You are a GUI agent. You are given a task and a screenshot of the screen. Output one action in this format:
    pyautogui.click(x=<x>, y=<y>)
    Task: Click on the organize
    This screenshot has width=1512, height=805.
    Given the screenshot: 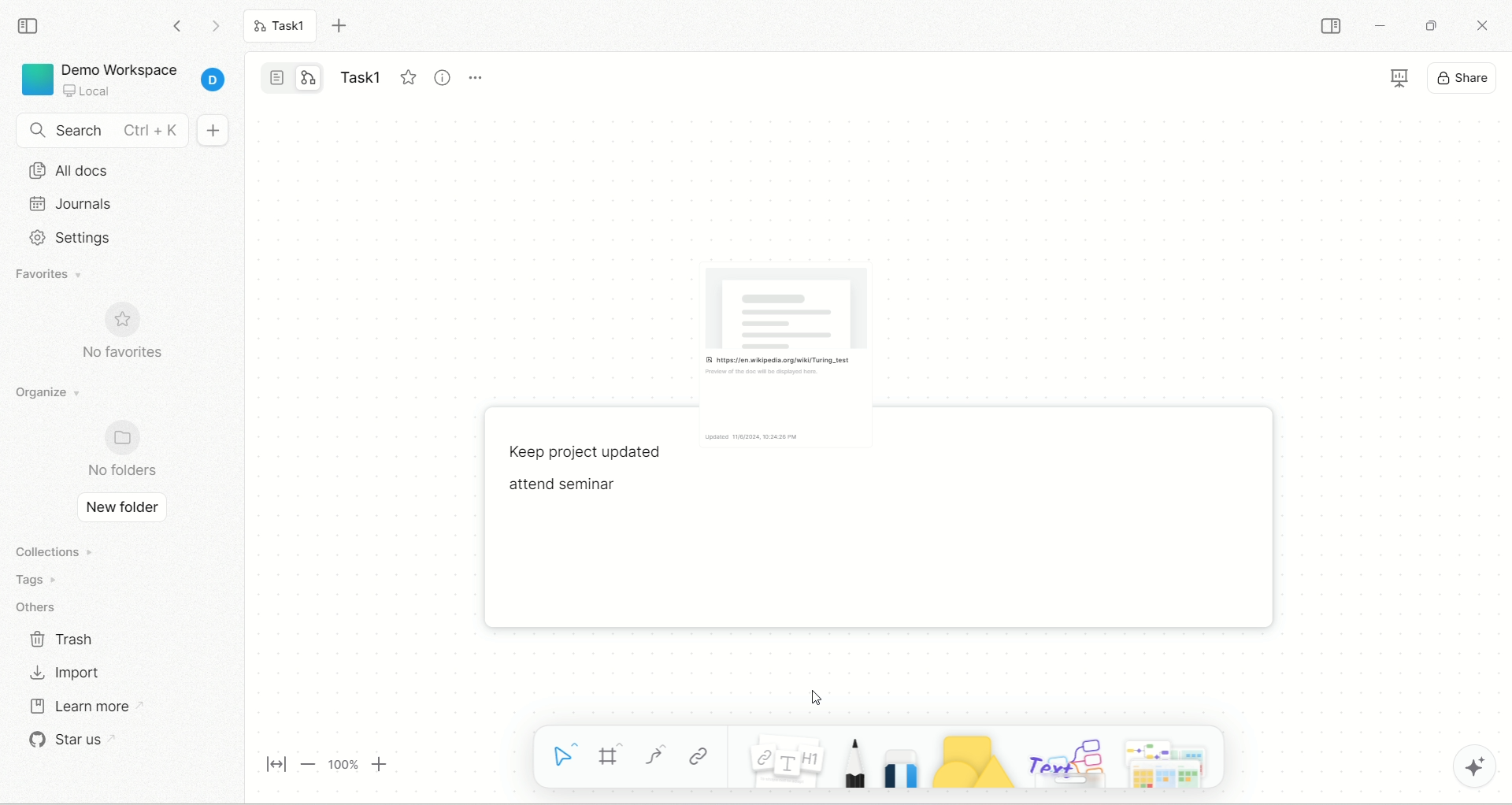 What is the action you would take?
    pyautogui.click(x=54, y=391)
    